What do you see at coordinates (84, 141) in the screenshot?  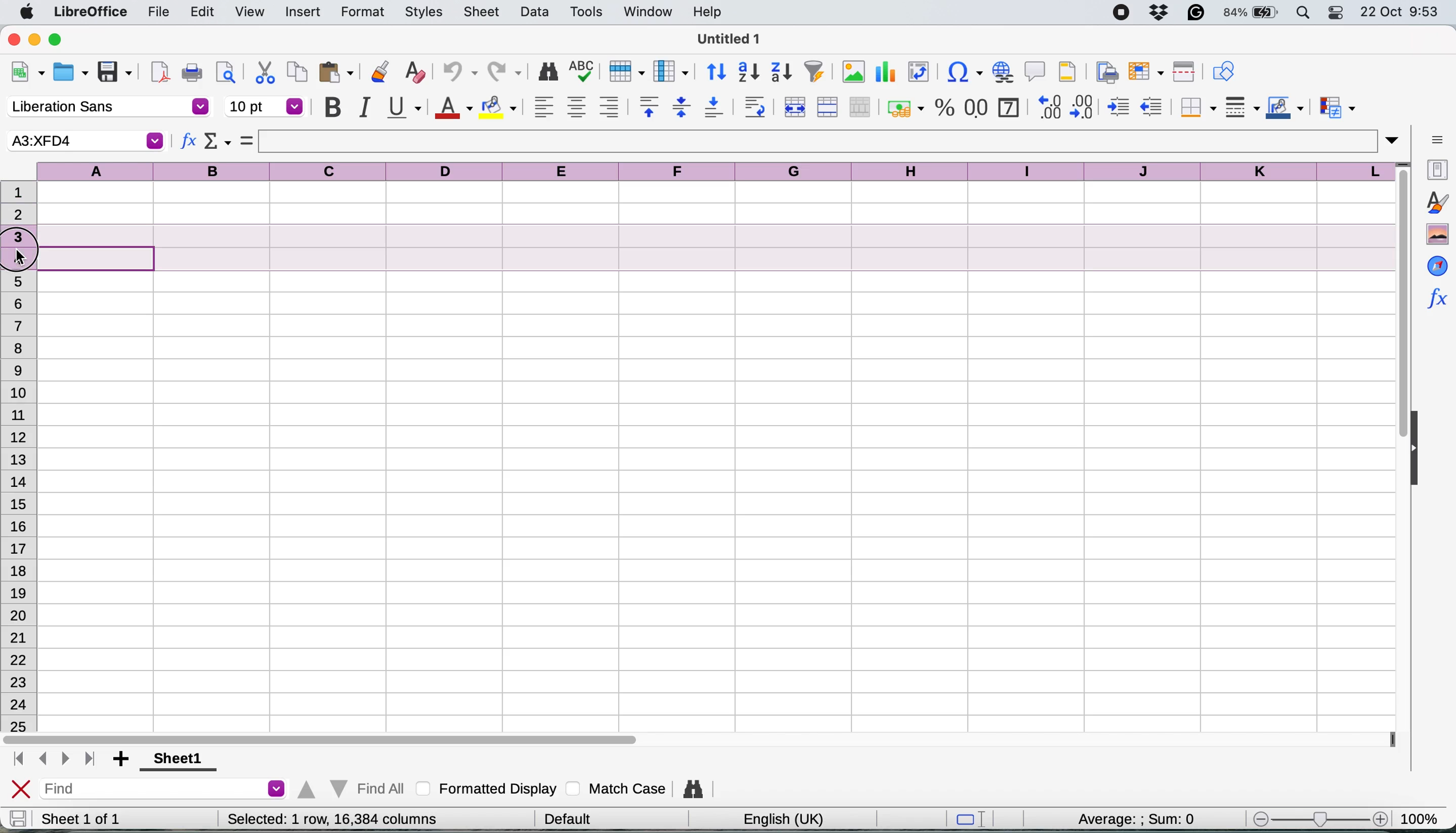 I see `selected cell` at bounding box center [84, 141].